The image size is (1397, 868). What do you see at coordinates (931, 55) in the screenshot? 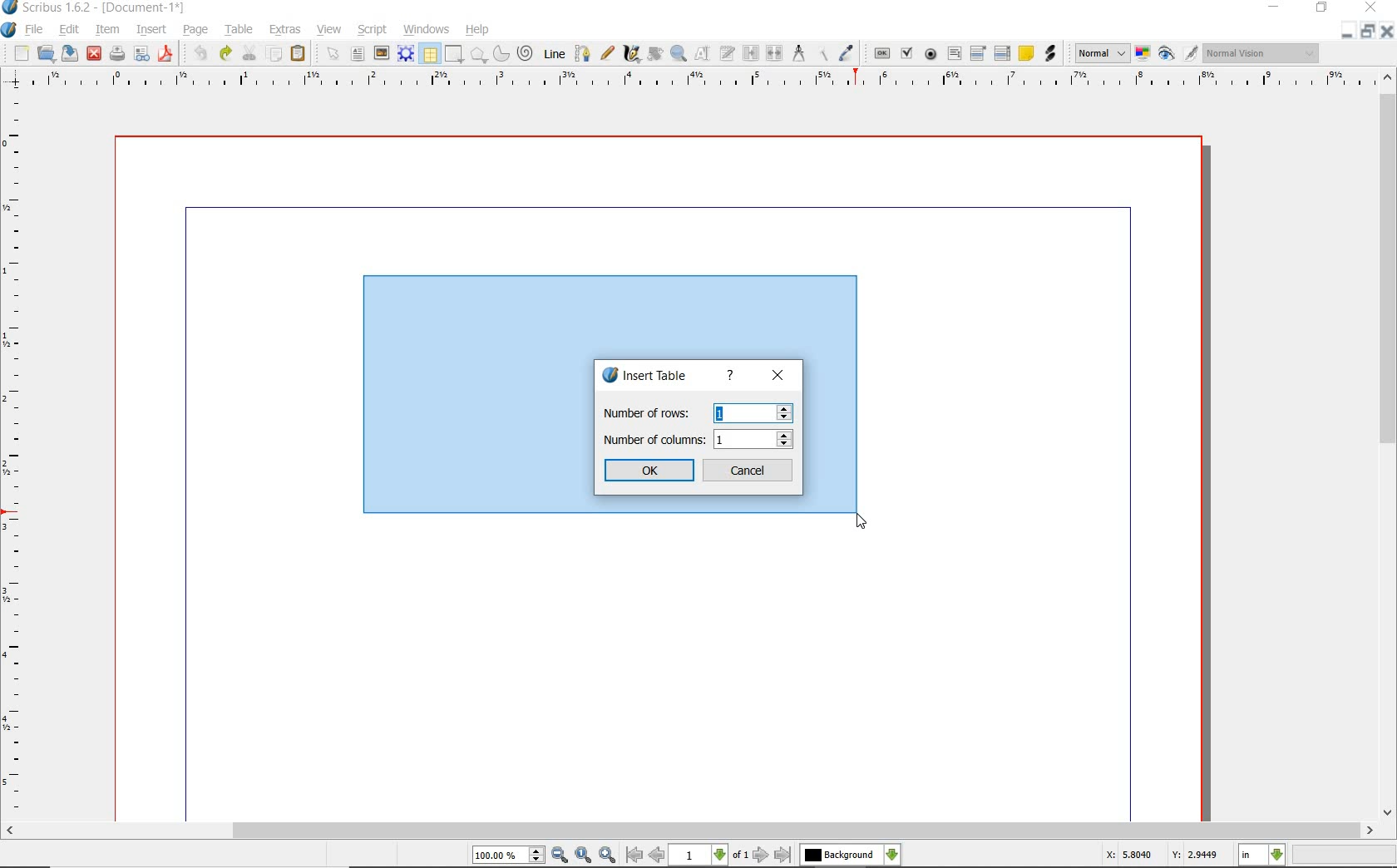
I see `pdf radio box` at bounding box center [931, 55].